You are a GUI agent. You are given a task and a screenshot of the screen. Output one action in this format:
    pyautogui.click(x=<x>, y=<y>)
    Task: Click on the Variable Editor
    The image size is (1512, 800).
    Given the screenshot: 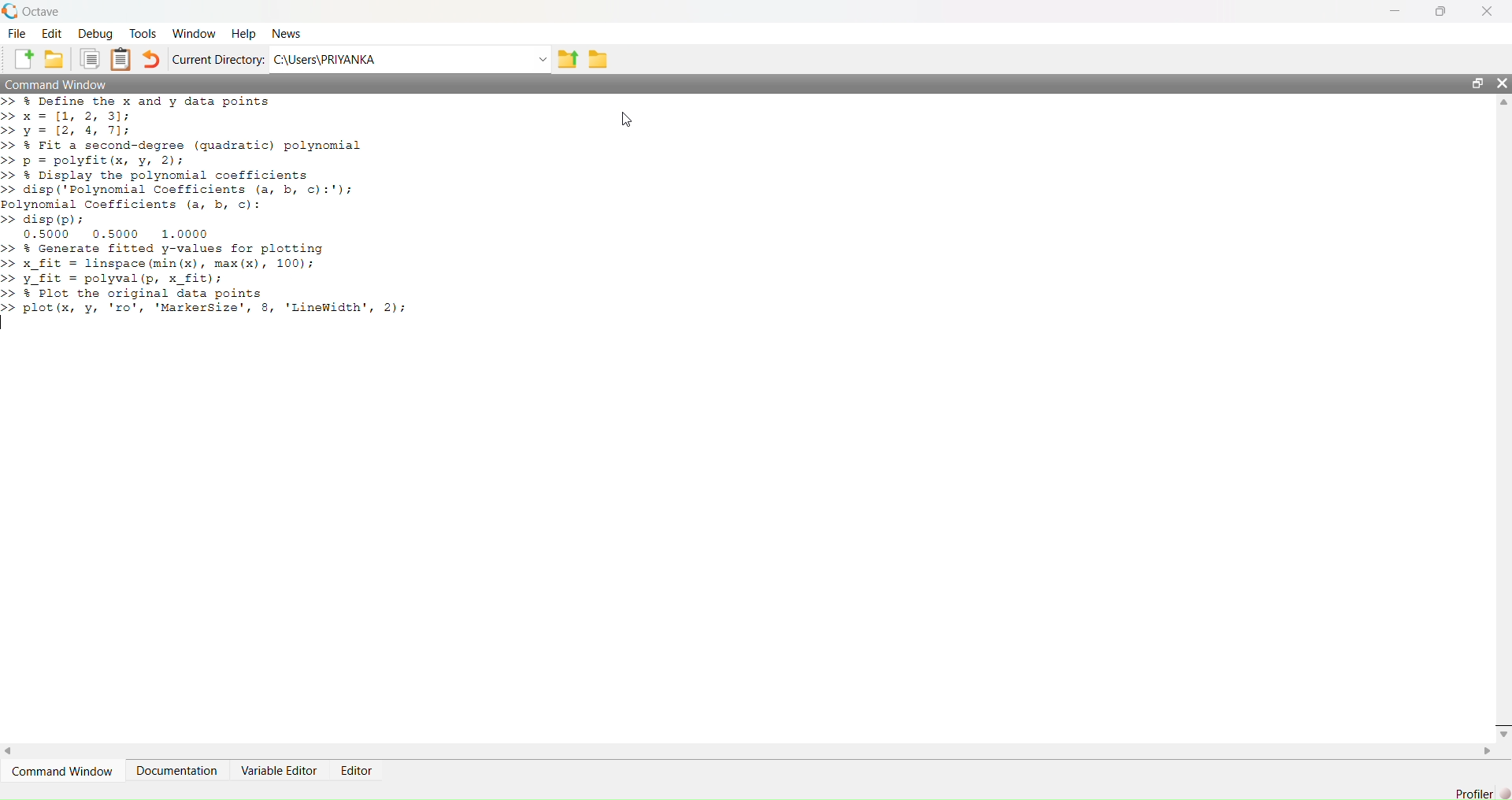 What is the action you would take?
    pyautogui.click(x=280, y=770)
    